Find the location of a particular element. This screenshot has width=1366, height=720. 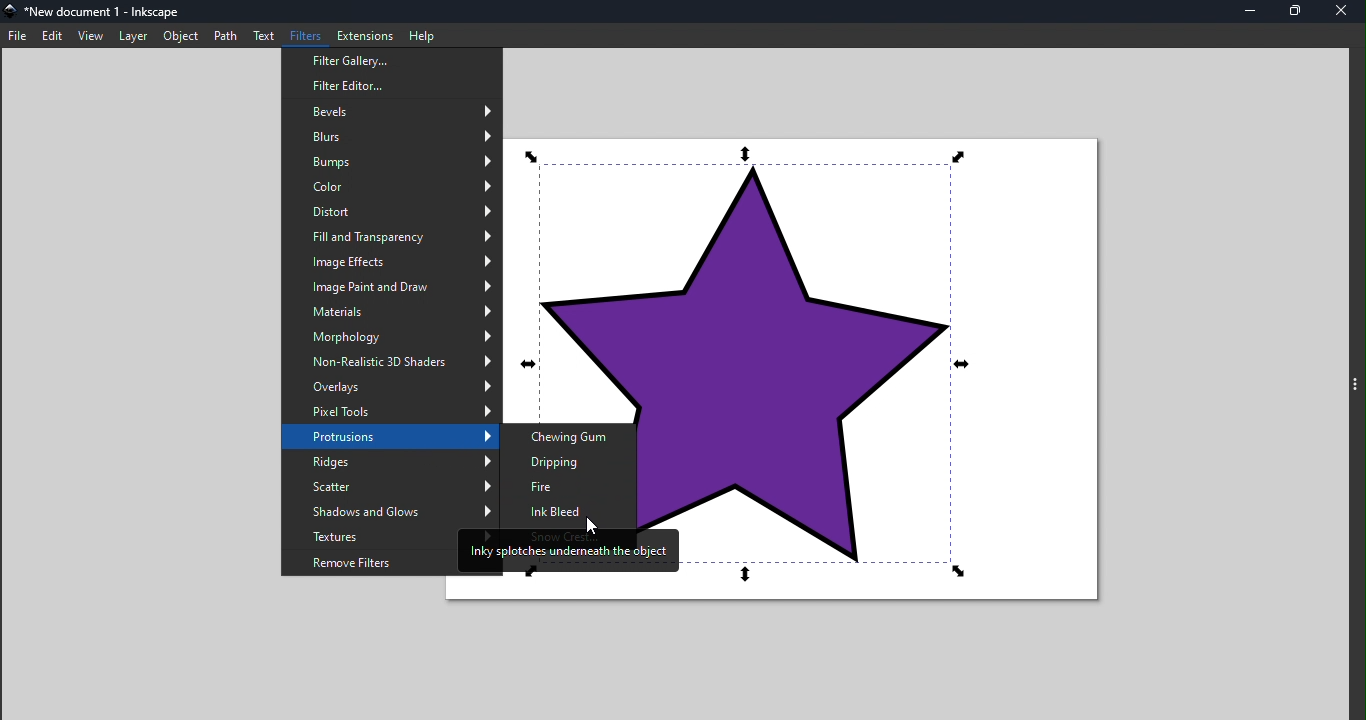

View is located at coordinates (90, 35).